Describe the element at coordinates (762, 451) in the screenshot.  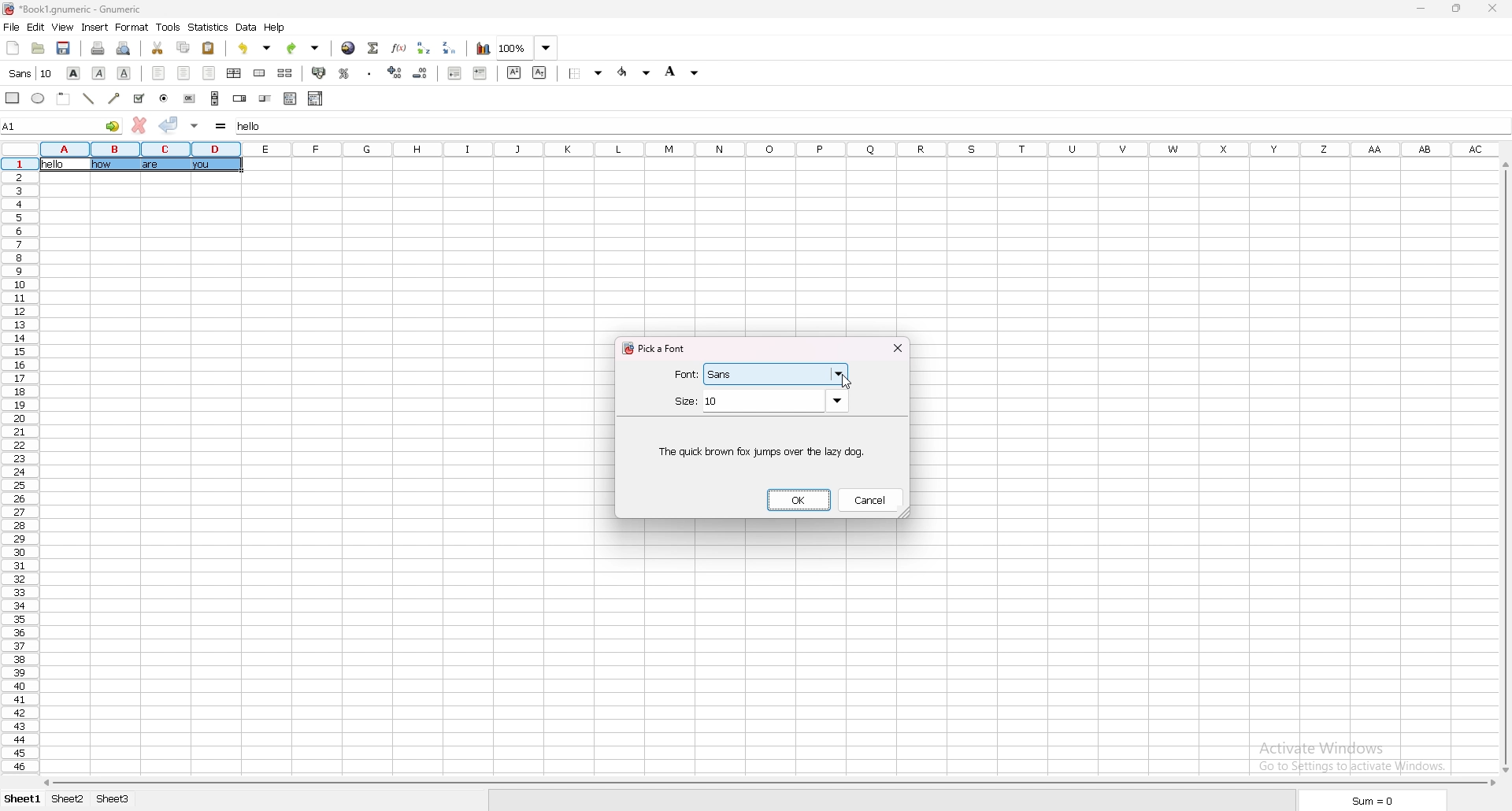
I see `sample text` at that location.